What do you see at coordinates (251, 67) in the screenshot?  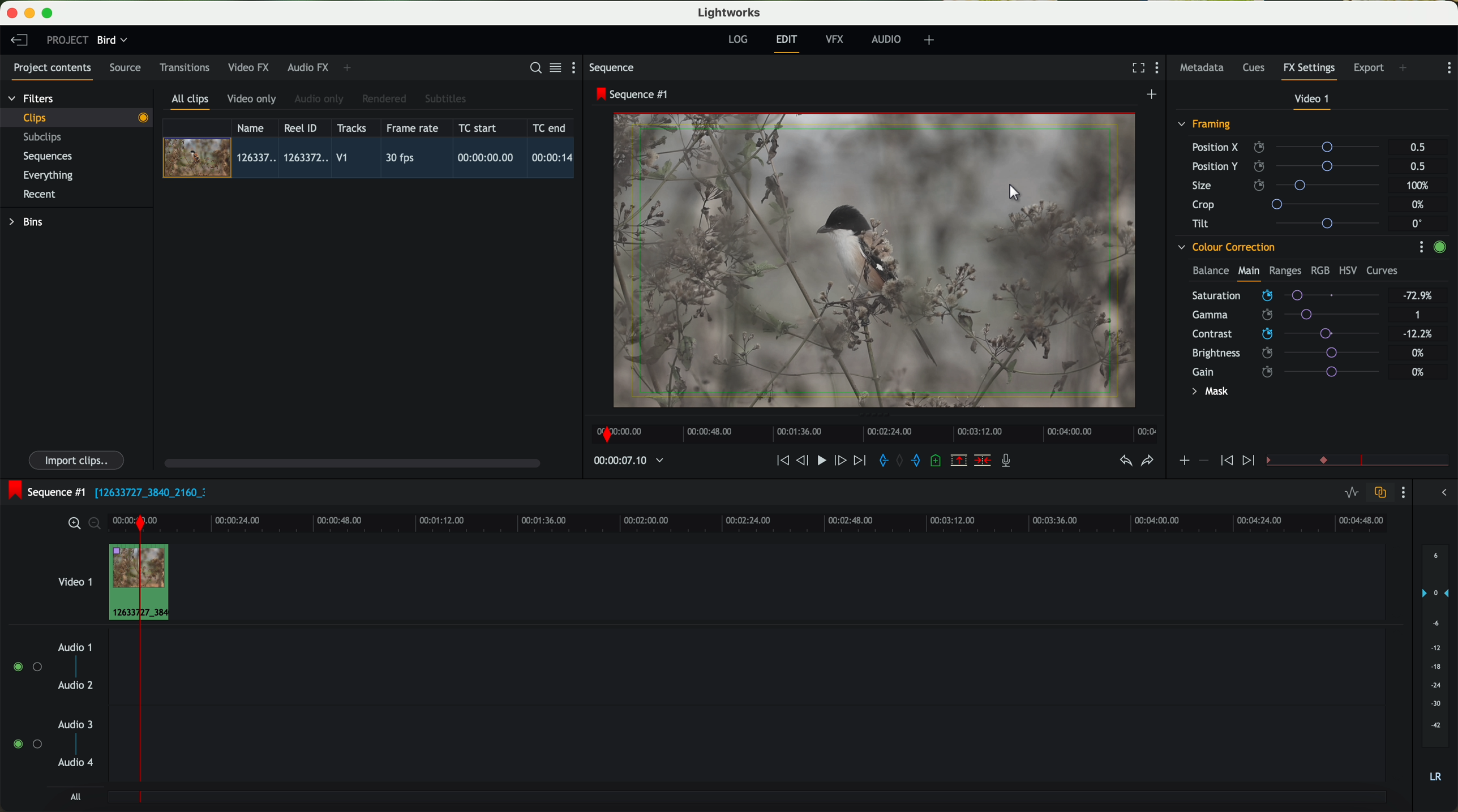 I see `video FX` at bounding box center [251, 67].